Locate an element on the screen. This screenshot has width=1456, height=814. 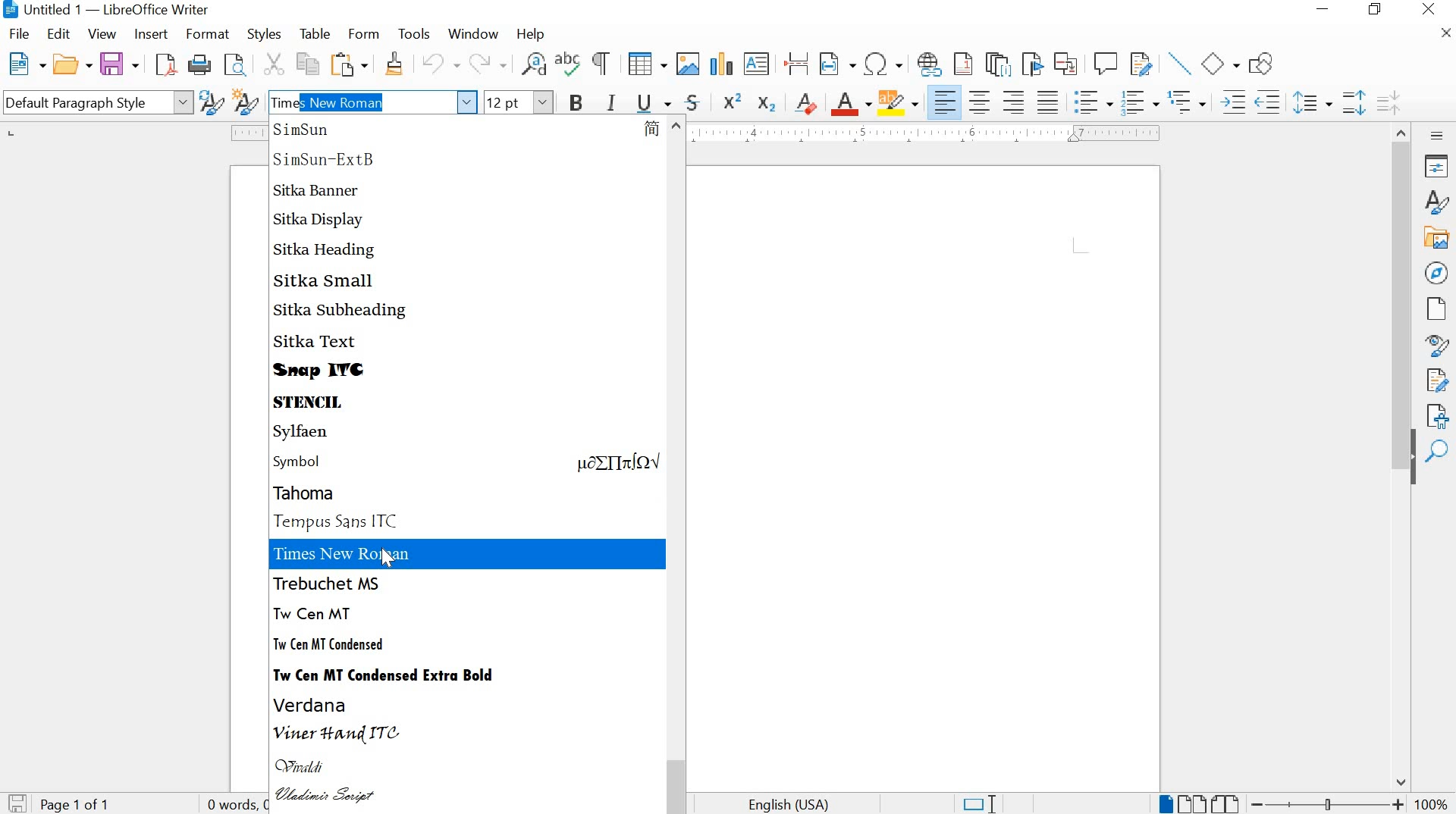
FIND AND REPLACE is located at coordinates (532, 64).